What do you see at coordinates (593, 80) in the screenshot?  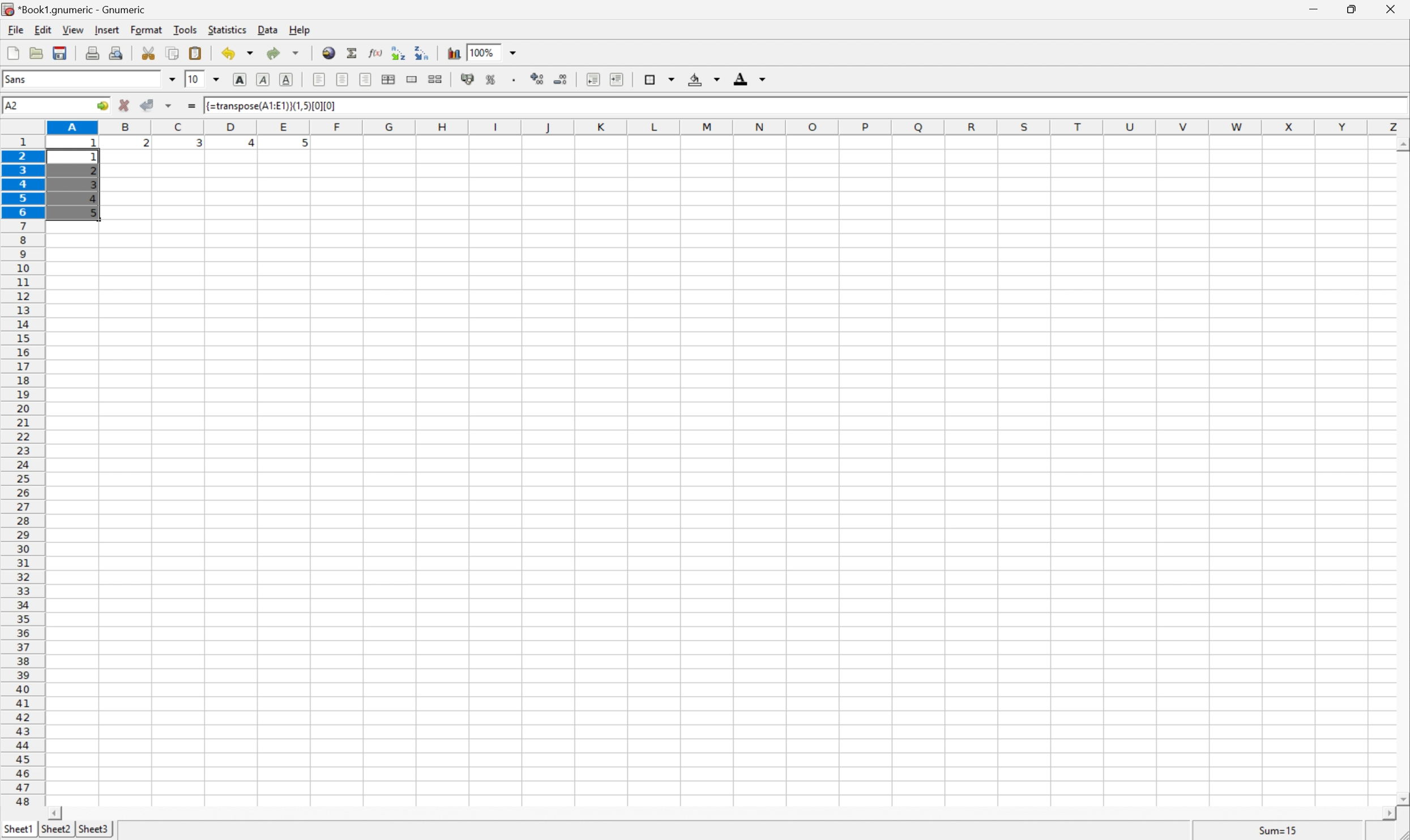 I see `decrease indent` at bounding box center [593, 80].